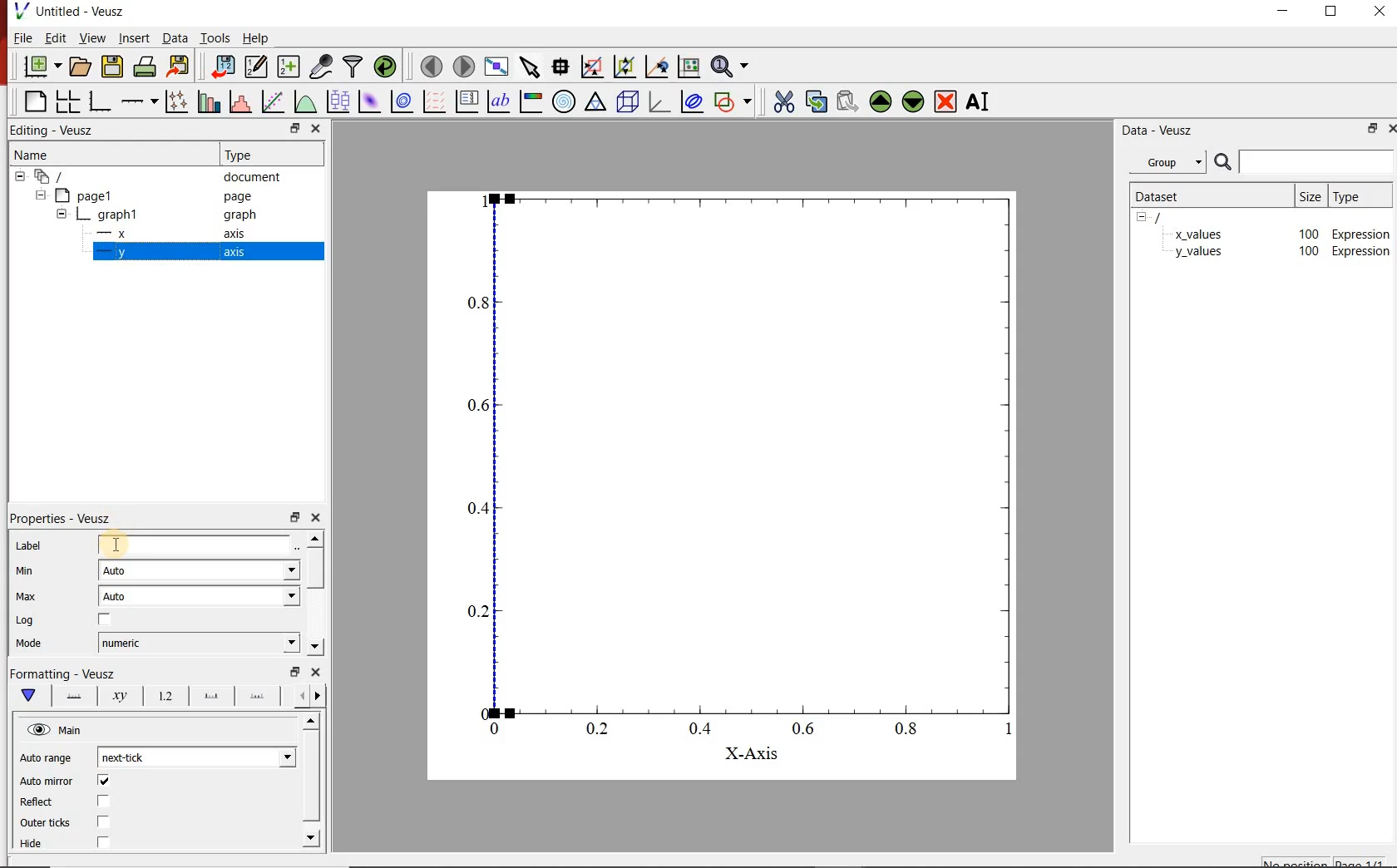  Describe the element at coordinates (980, 104) in the screenshot. I see `rename the selected widget` at that location.